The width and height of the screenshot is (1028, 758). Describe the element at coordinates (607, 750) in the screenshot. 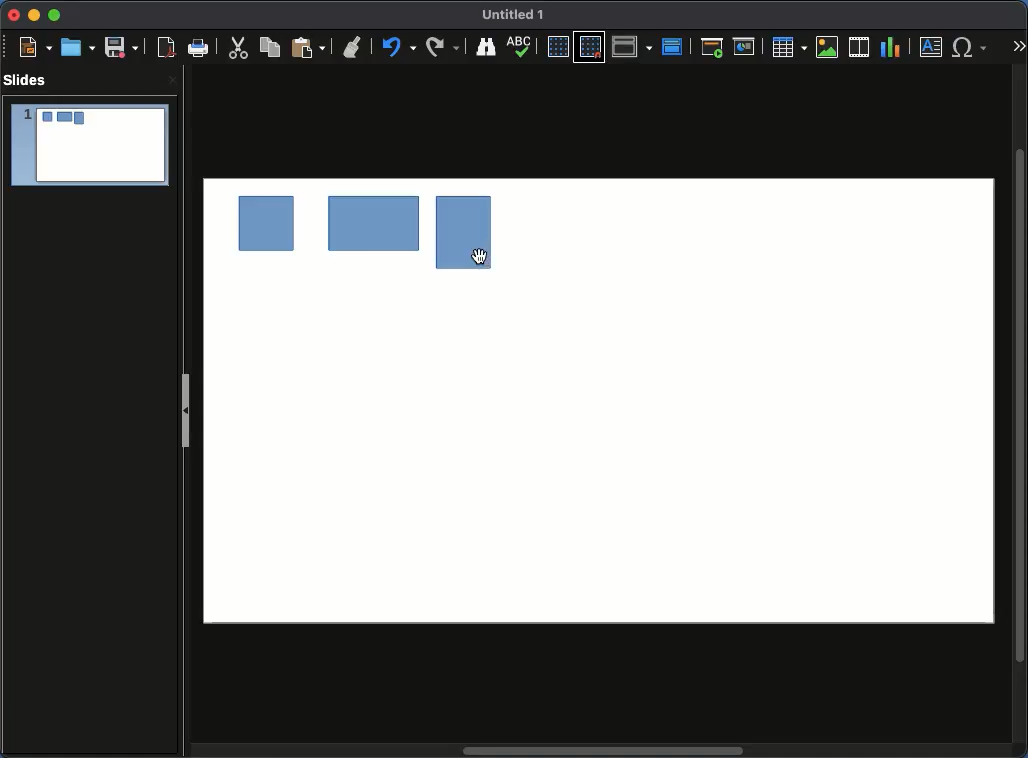

I see `Scroll bar` at that location.